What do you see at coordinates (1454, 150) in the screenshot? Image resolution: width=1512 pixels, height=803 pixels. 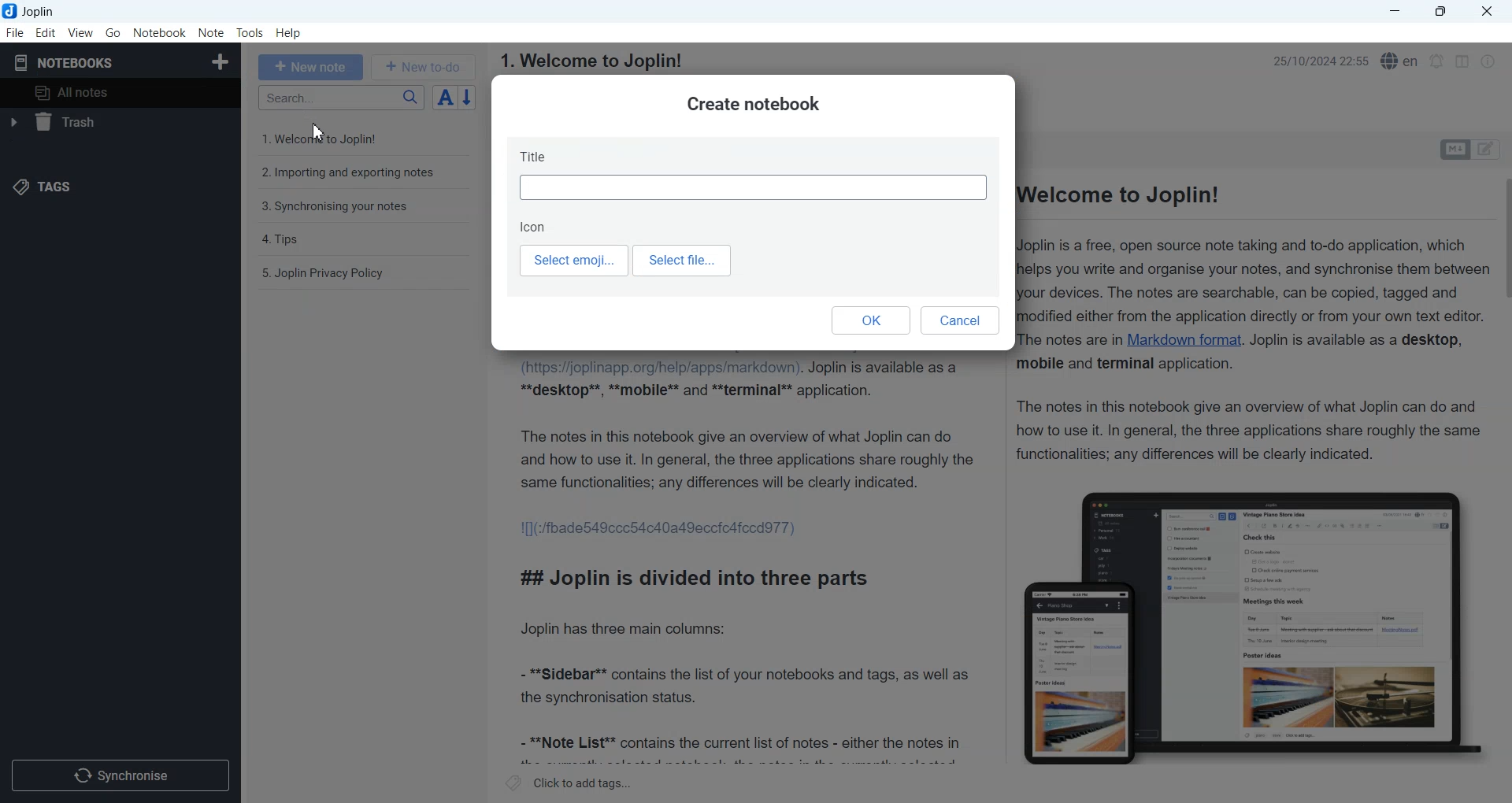 I see `Toggle editors` at bounding box center [1454, 150].